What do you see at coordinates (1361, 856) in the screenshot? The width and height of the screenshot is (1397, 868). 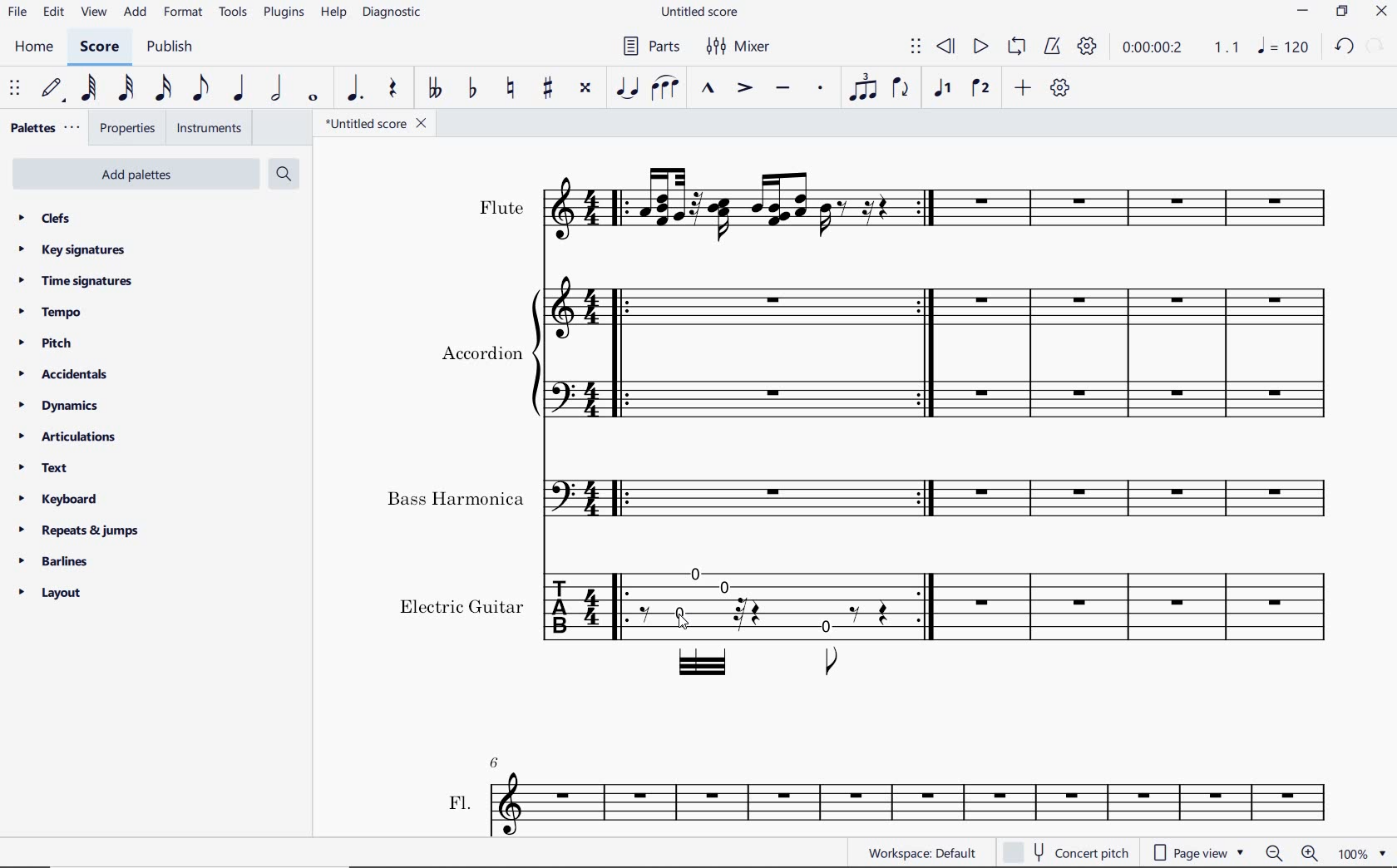 I see `ZOOM FACTOR` at bounding box center [1361, 856].